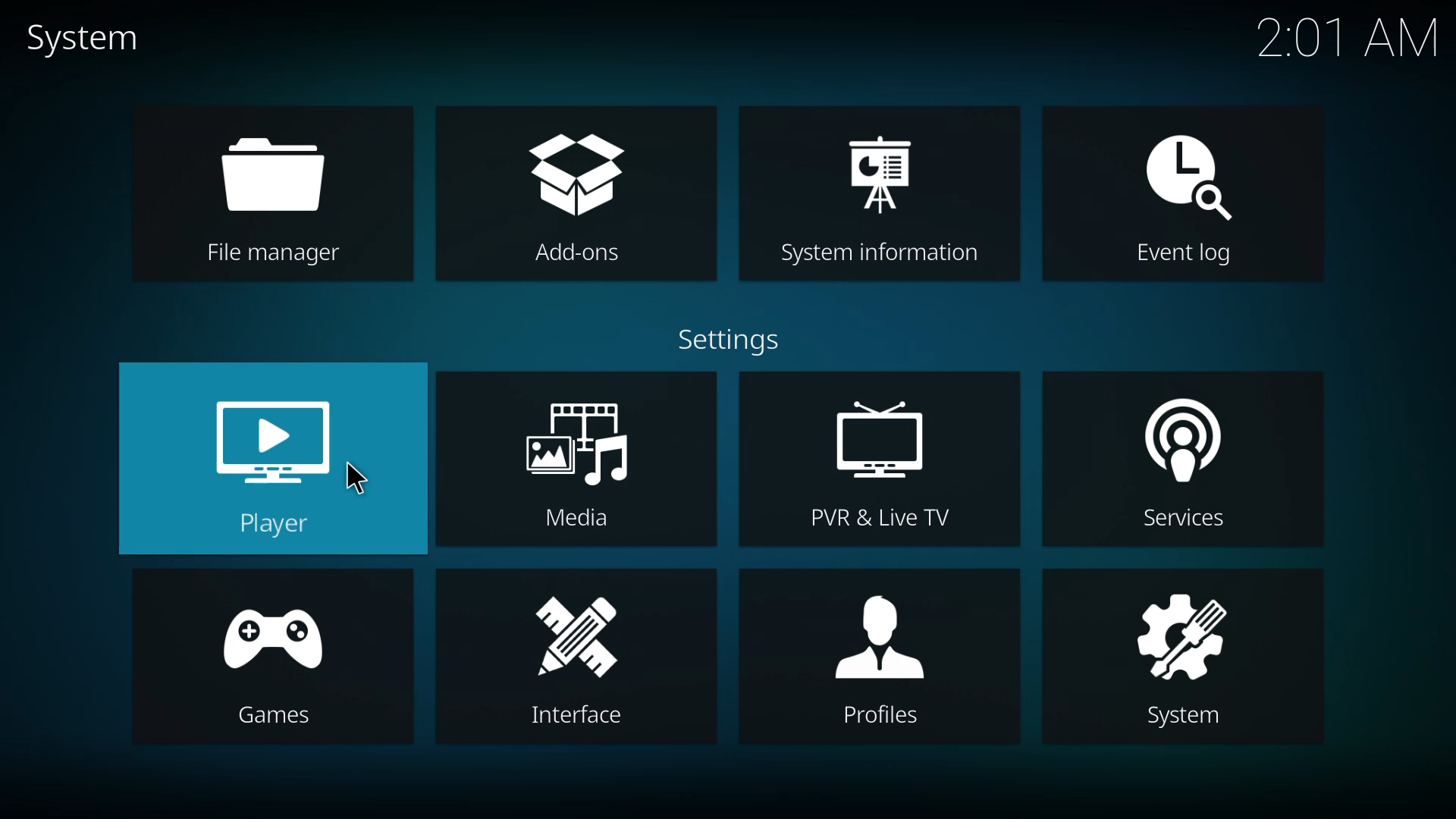 This screenshot has width=1456, height=819. I want to click on games, so click(274, 657).